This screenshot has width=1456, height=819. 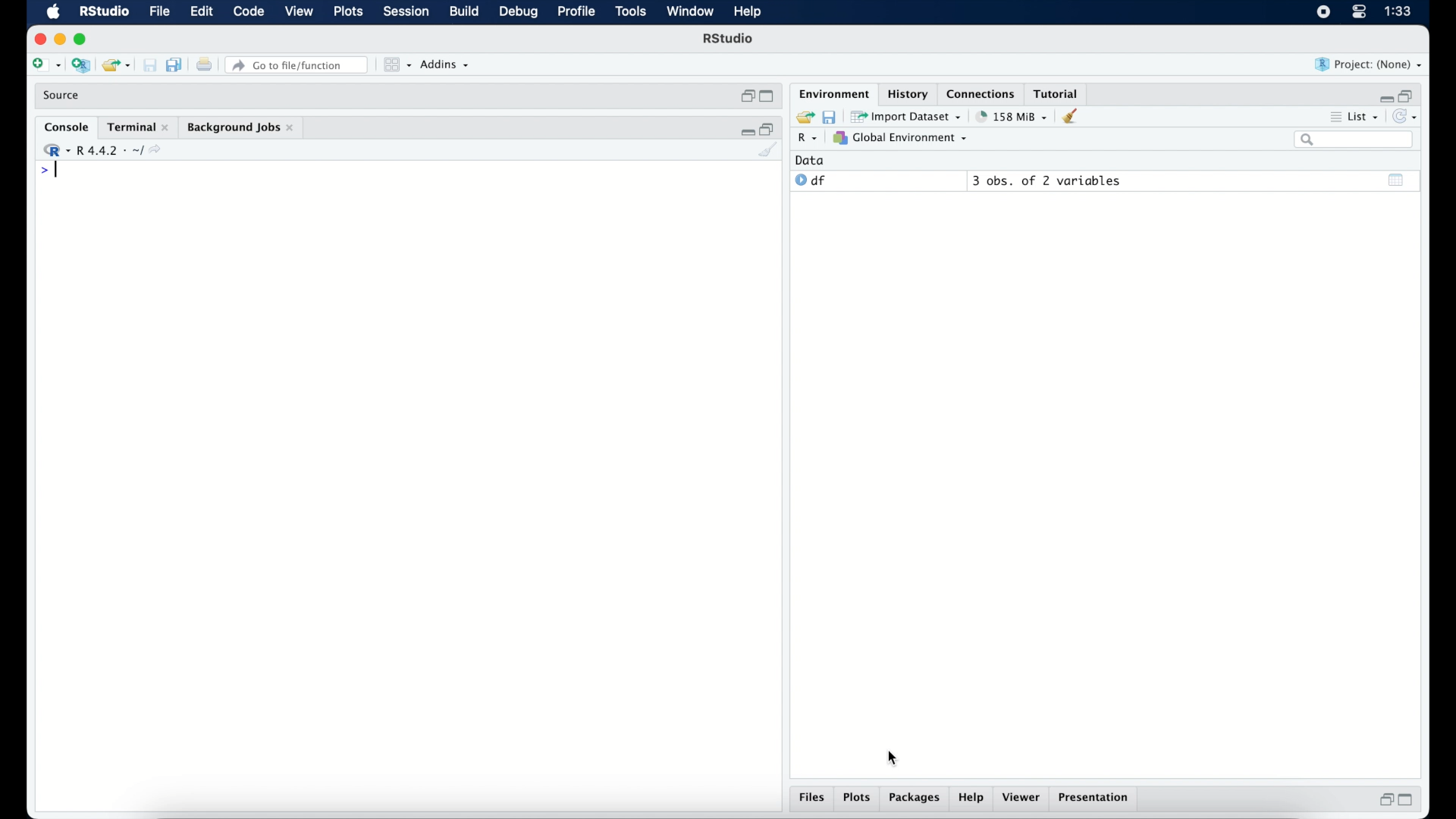 I want to click on macOS, so click(x=52, y=12).